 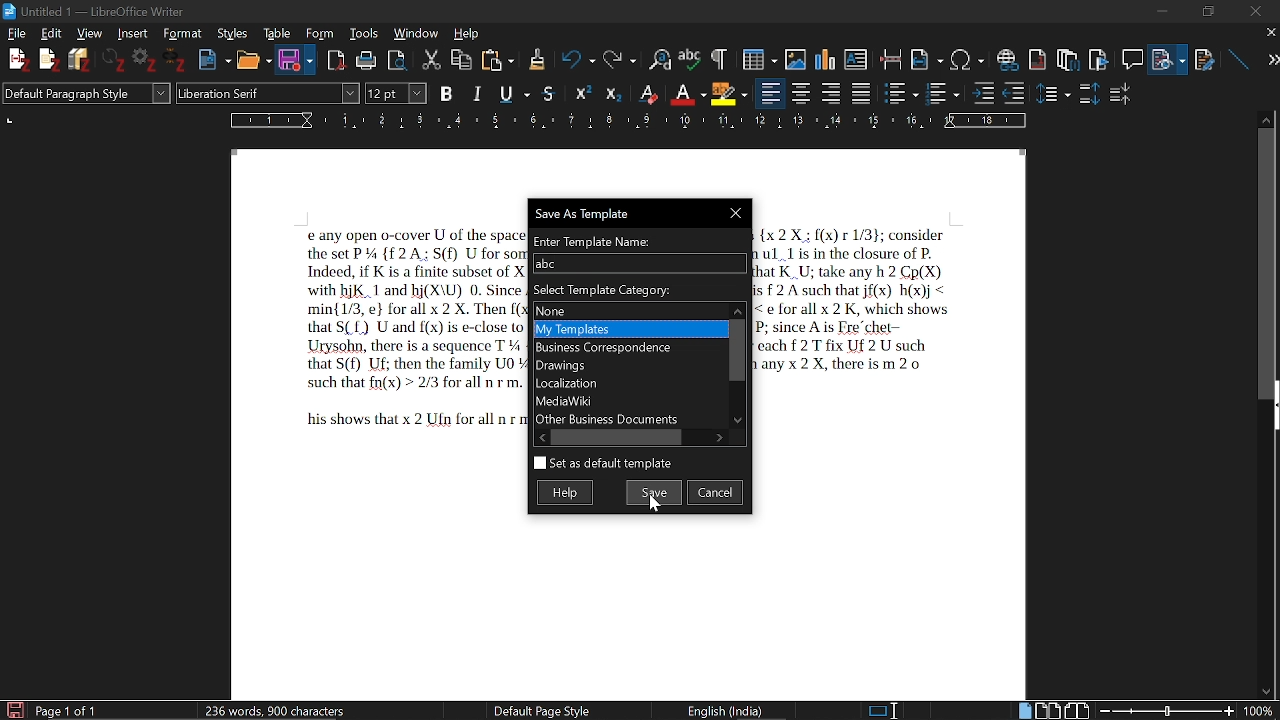 I want to click on Save, so click(x=294, y=61).